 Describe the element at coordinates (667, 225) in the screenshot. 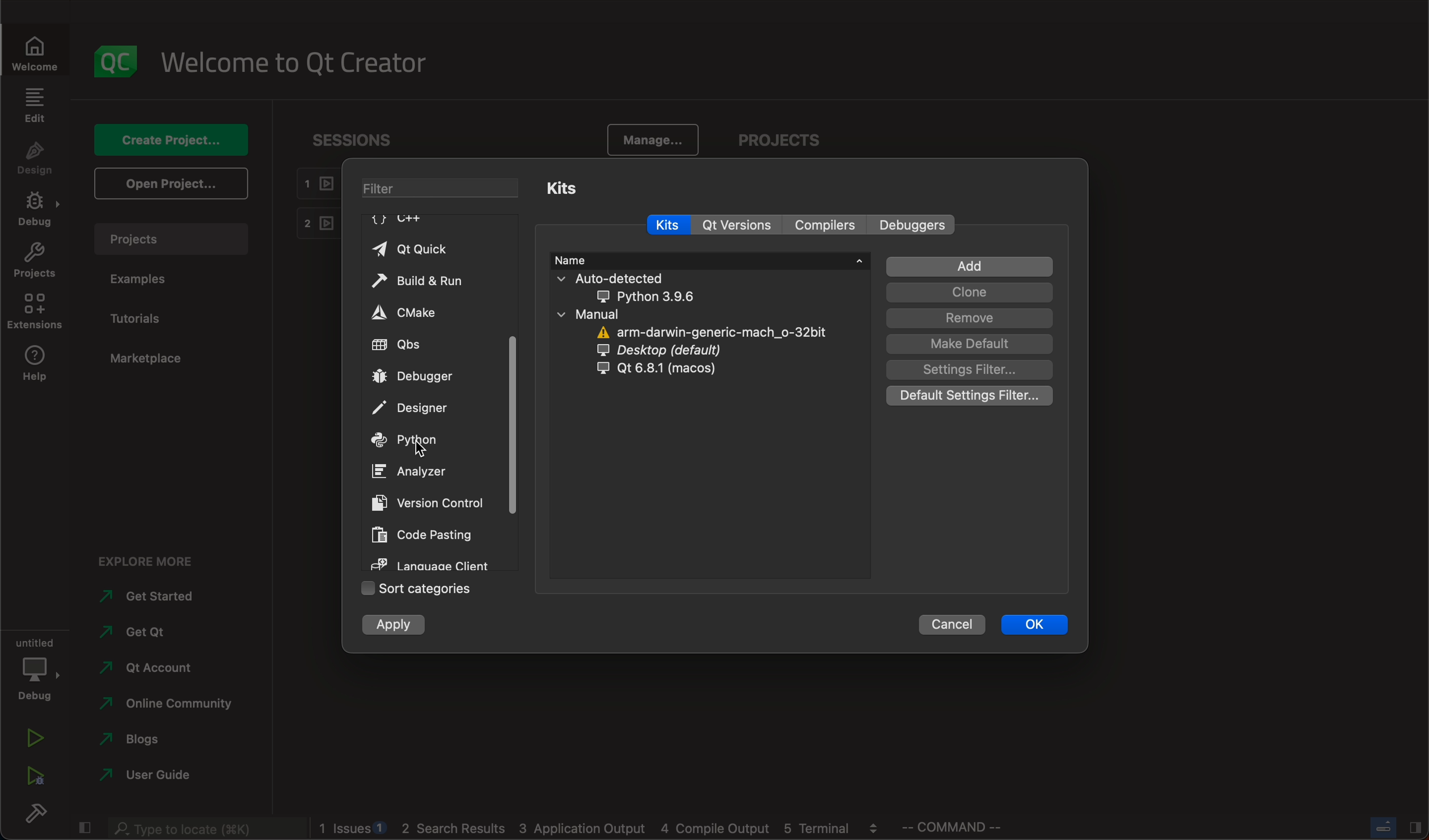

I see `kits` at that location.